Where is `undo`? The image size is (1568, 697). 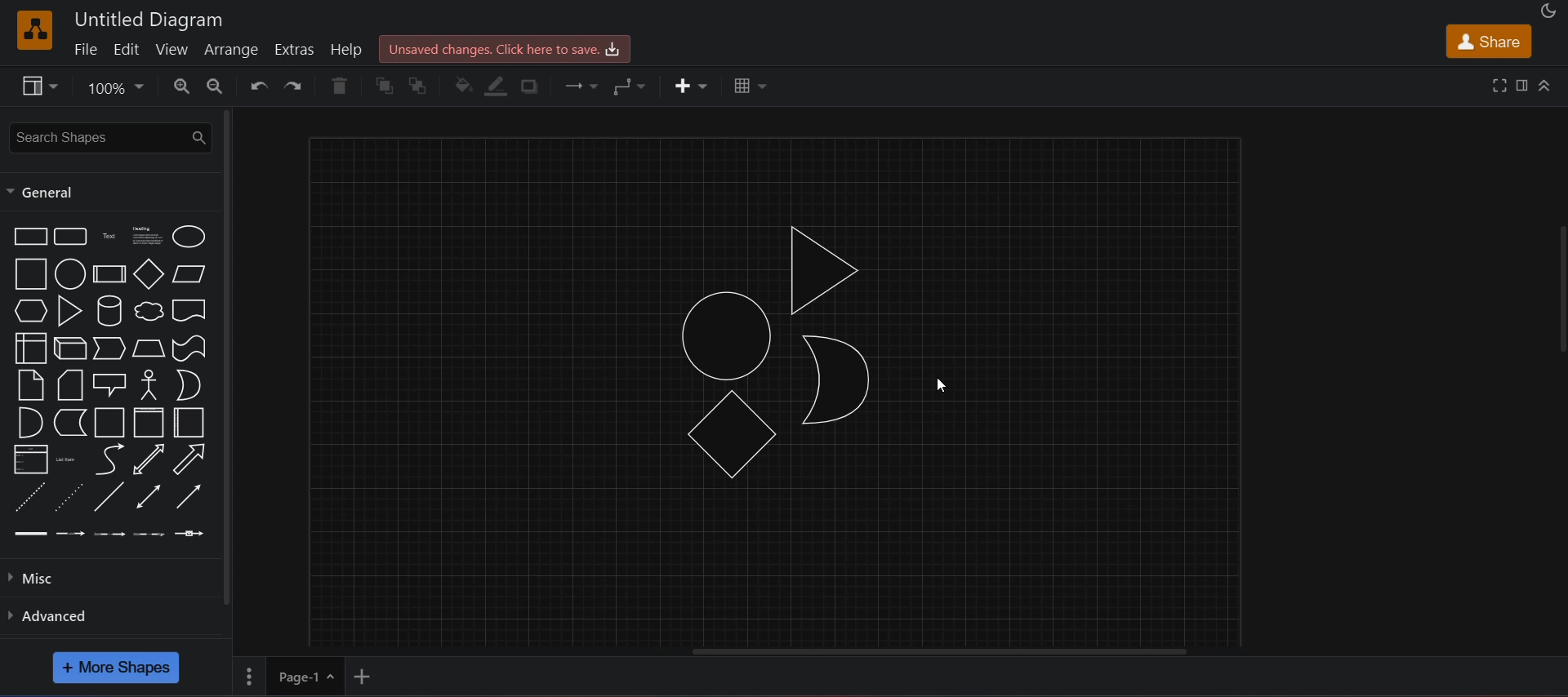 undo is located at coordinates (260, 87).